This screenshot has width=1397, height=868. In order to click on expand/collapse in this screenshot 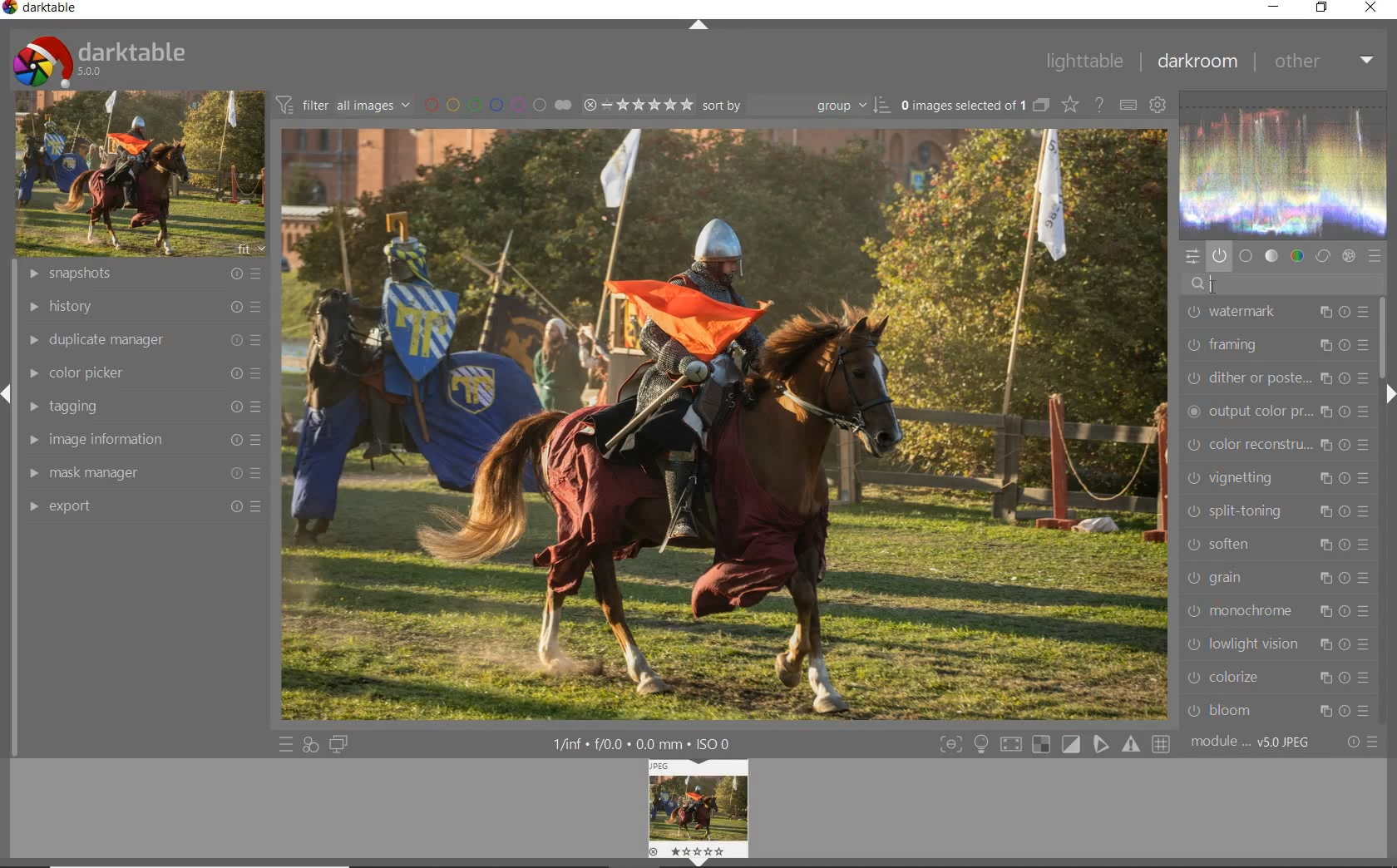, I will do `click(1389, 394)`.